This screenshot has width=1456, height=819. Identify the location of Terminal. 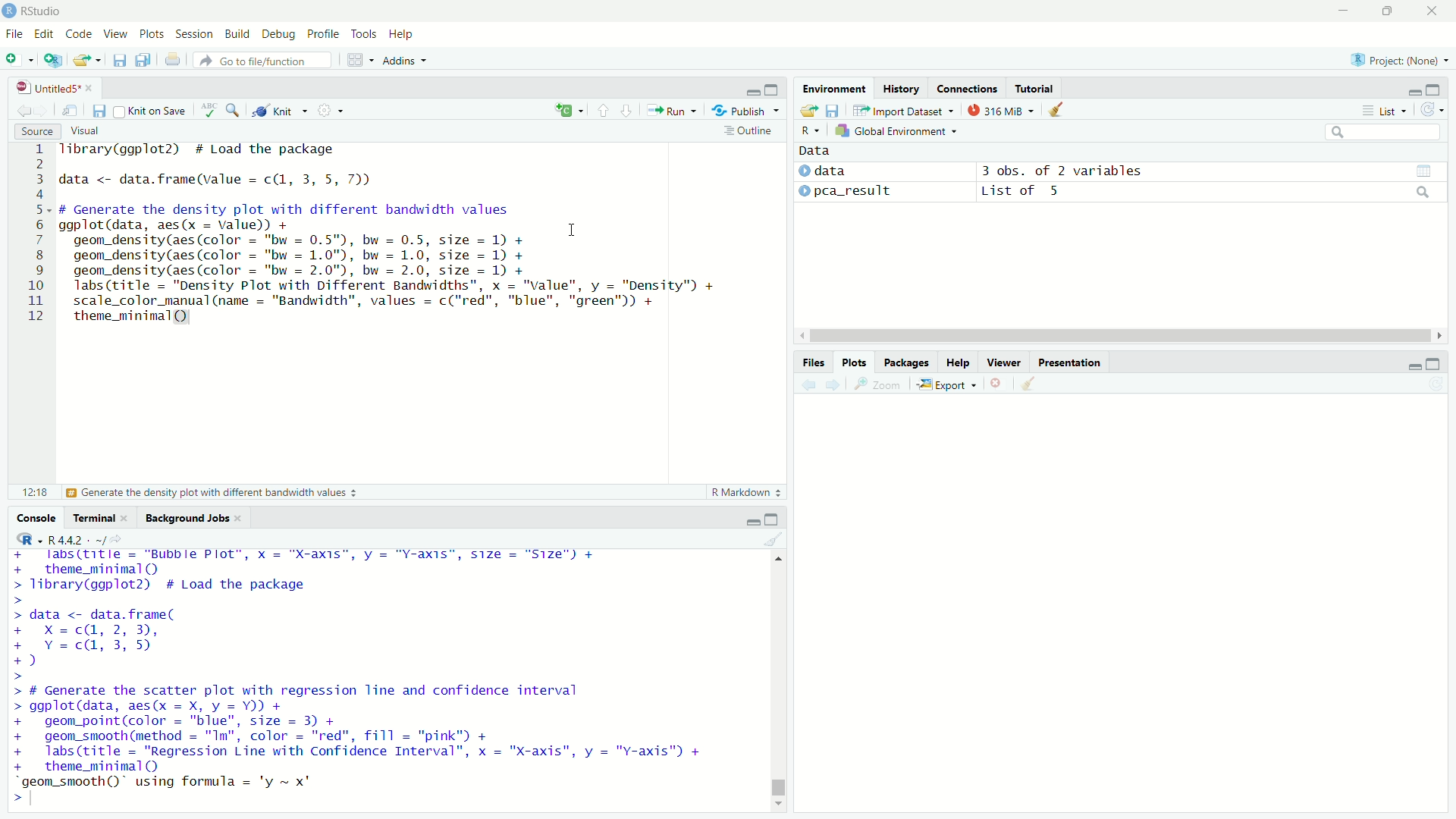
(93, 517).